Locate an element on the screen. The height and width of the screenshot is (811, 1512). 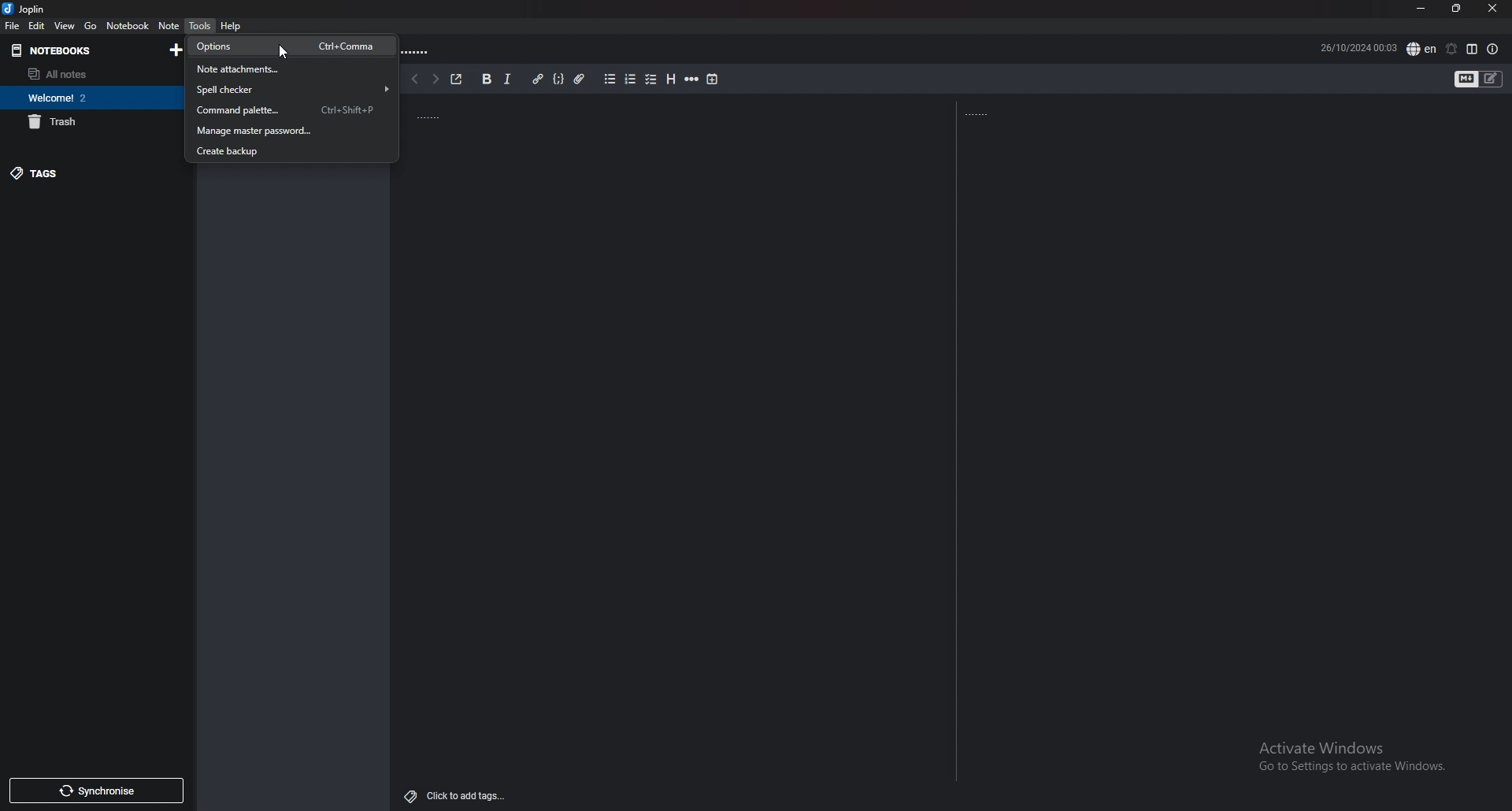
note properties is located at coordinates (1493, 50).